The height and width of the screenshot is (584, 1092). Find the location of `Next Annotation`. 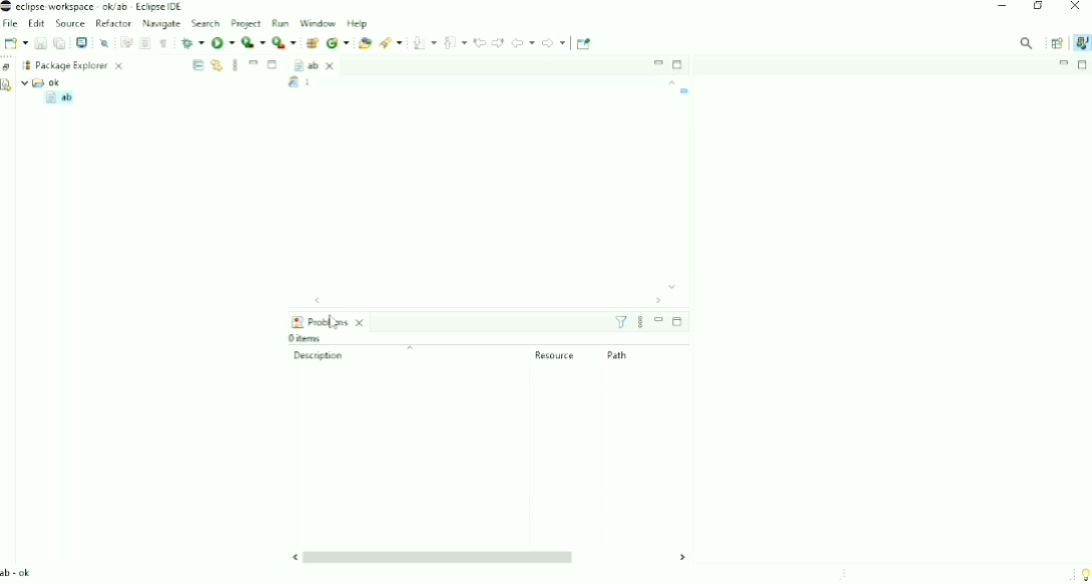

Next Annotation is located at coordinates (424, 43).